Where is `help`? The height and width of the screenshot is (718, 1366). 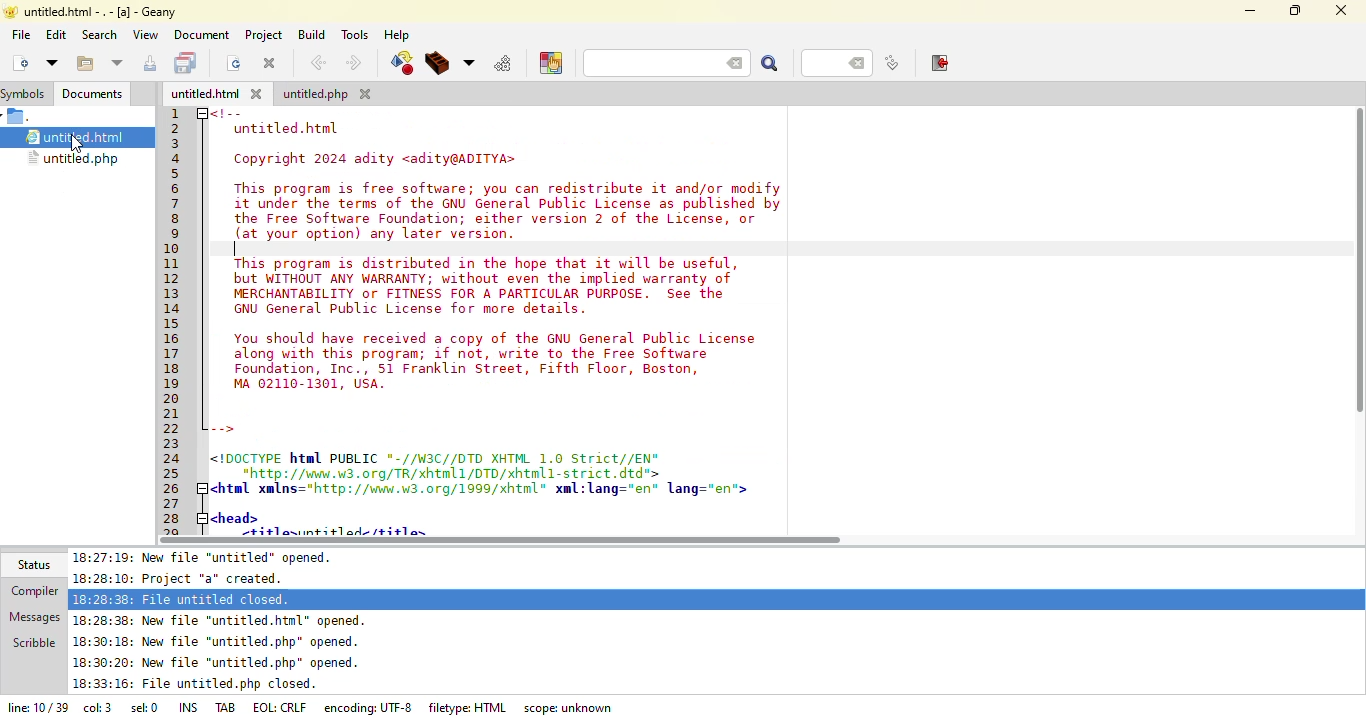 help is located at coordinates (400, 35).